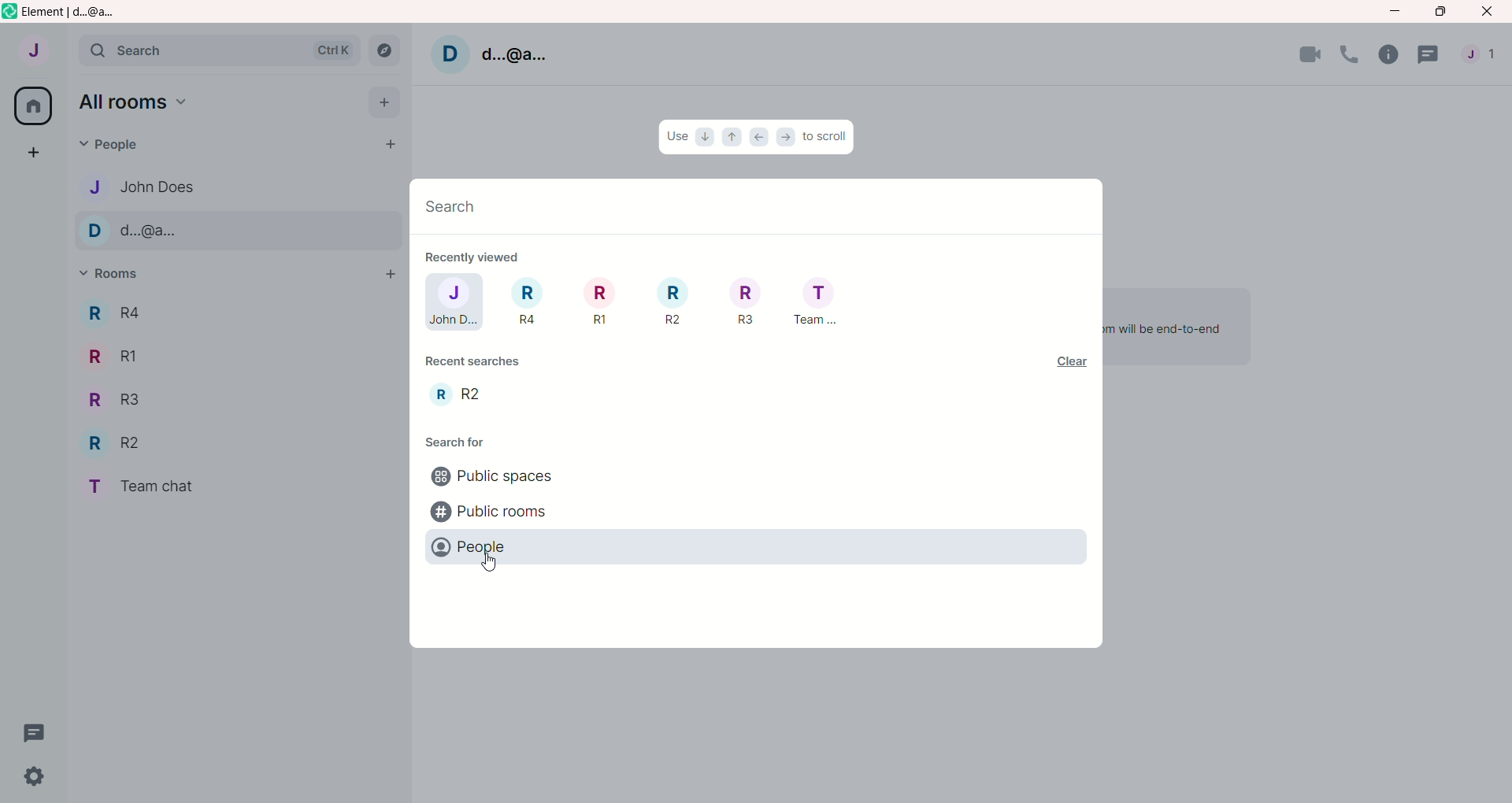  What do you see at coordinates (826, 135) in the screenshot?
I see `to scroll` at bounding box center [826, 135].